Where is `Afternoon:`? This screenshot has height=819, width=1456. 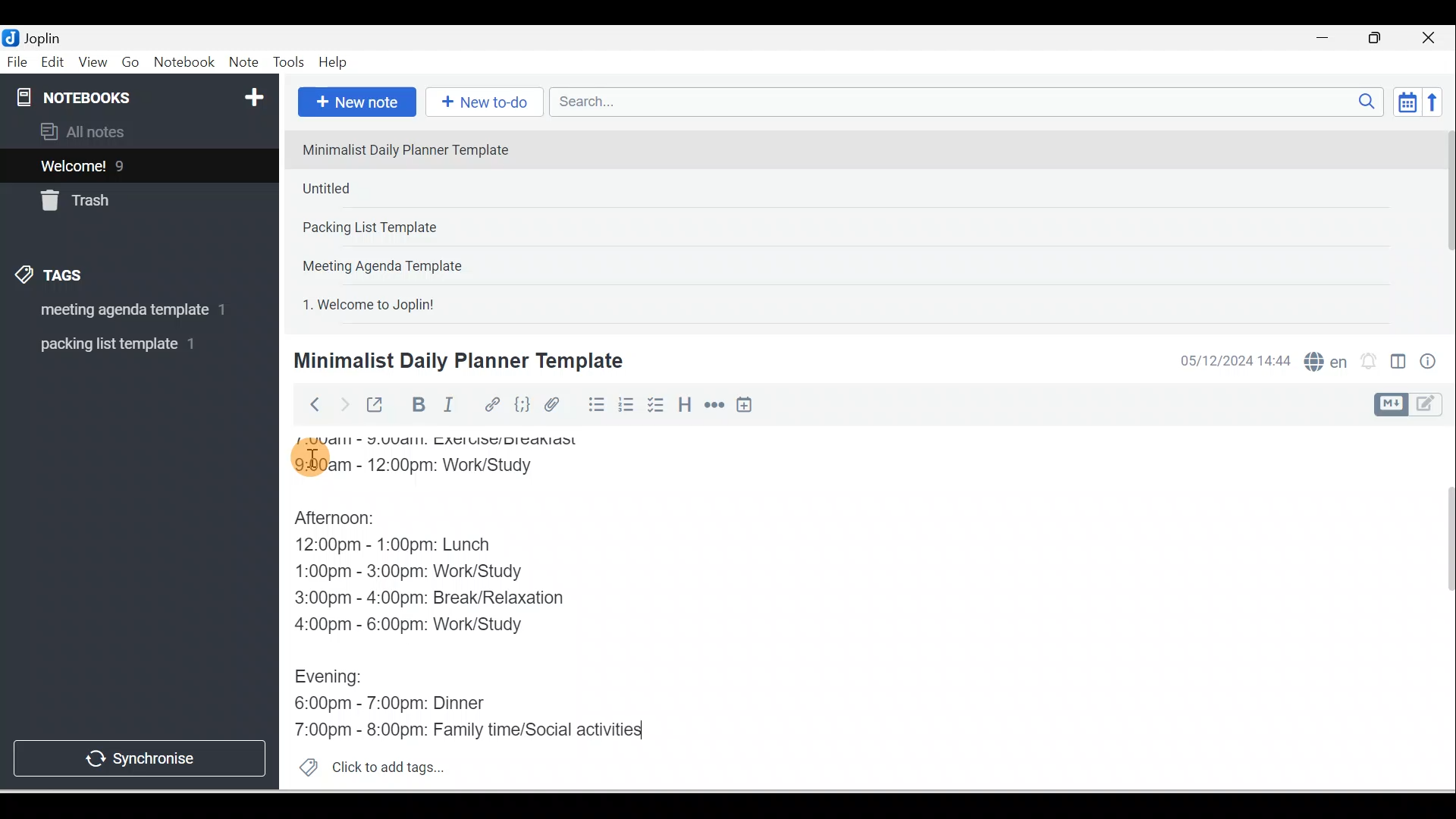 Afternoon: is located at coordinates (349, 521).